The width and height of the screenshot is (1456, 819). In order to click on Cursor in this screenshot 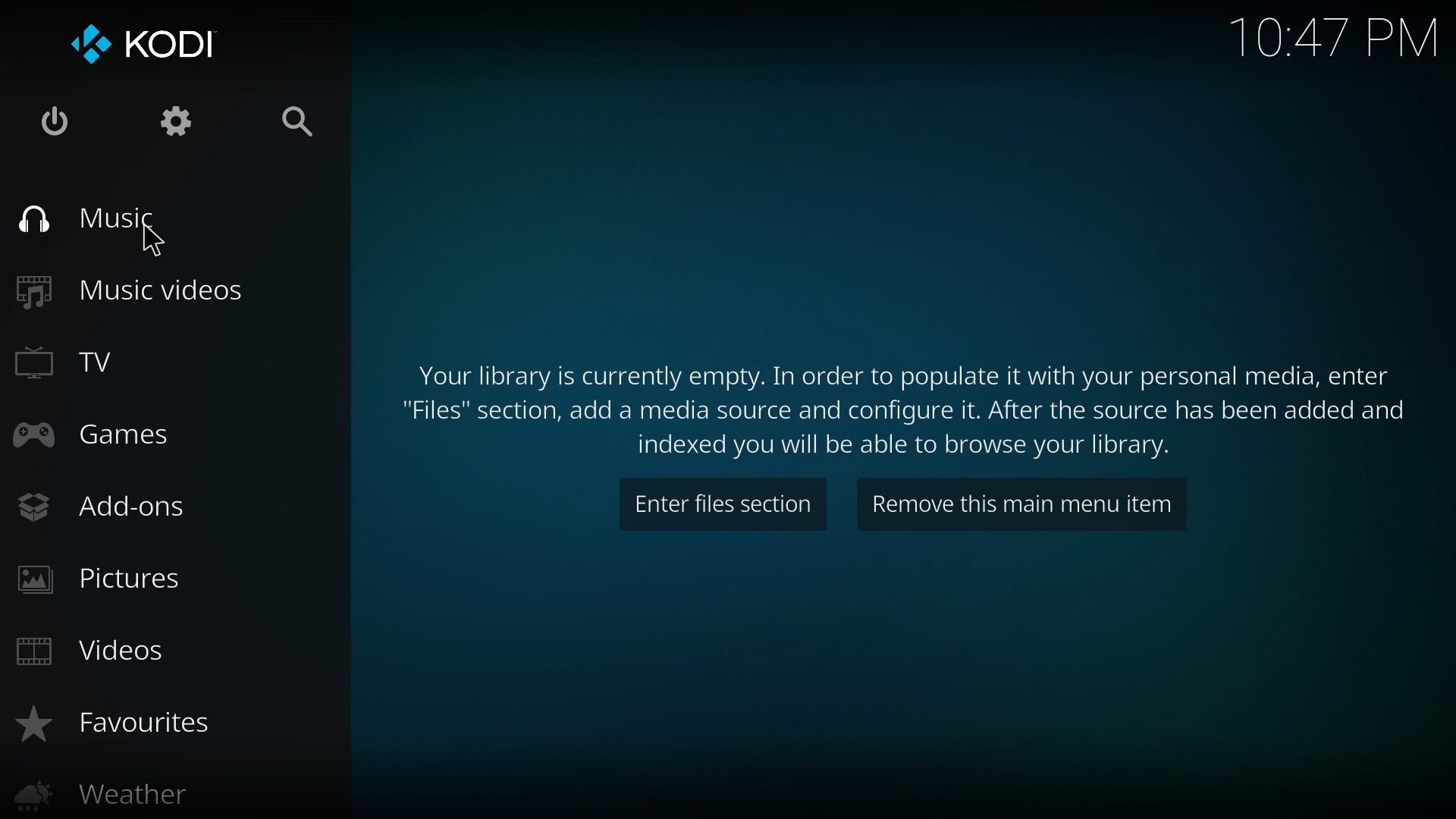, I will do `click(162, 238)`.